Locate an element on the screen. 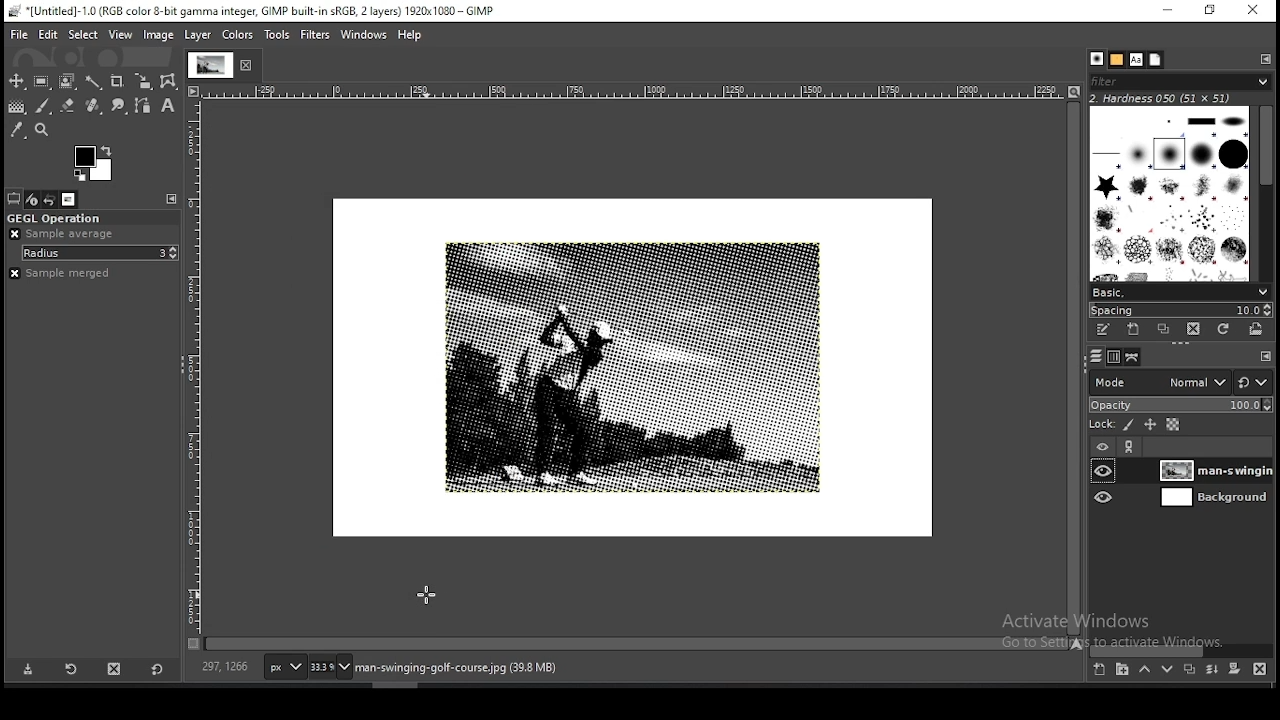 The image size is (1280, 720). color picker tool is located at coordinates (17, 129).